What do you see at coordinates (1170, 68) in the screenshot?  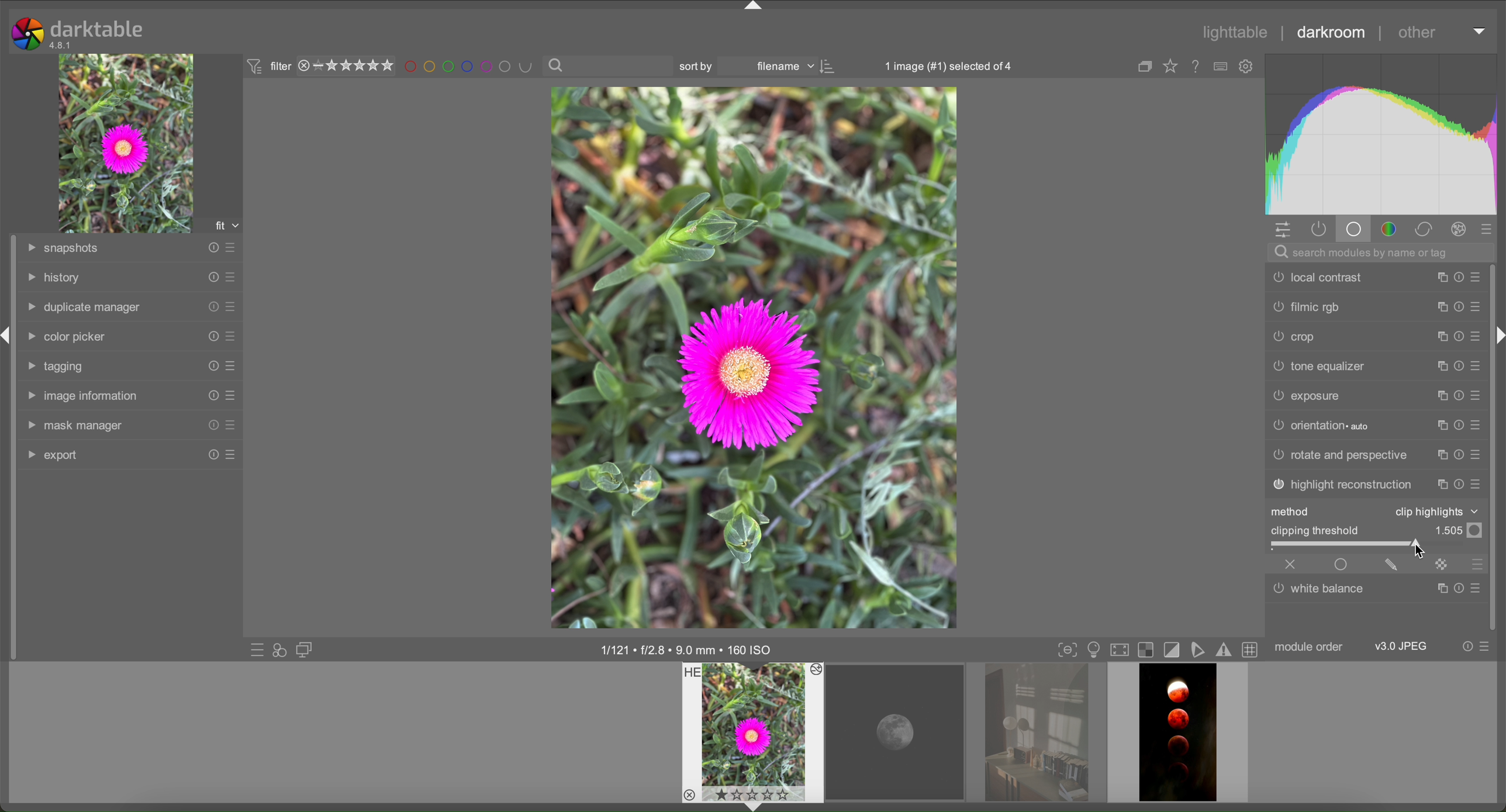 I see `Favourites ` at bounding box center [1170, 68].